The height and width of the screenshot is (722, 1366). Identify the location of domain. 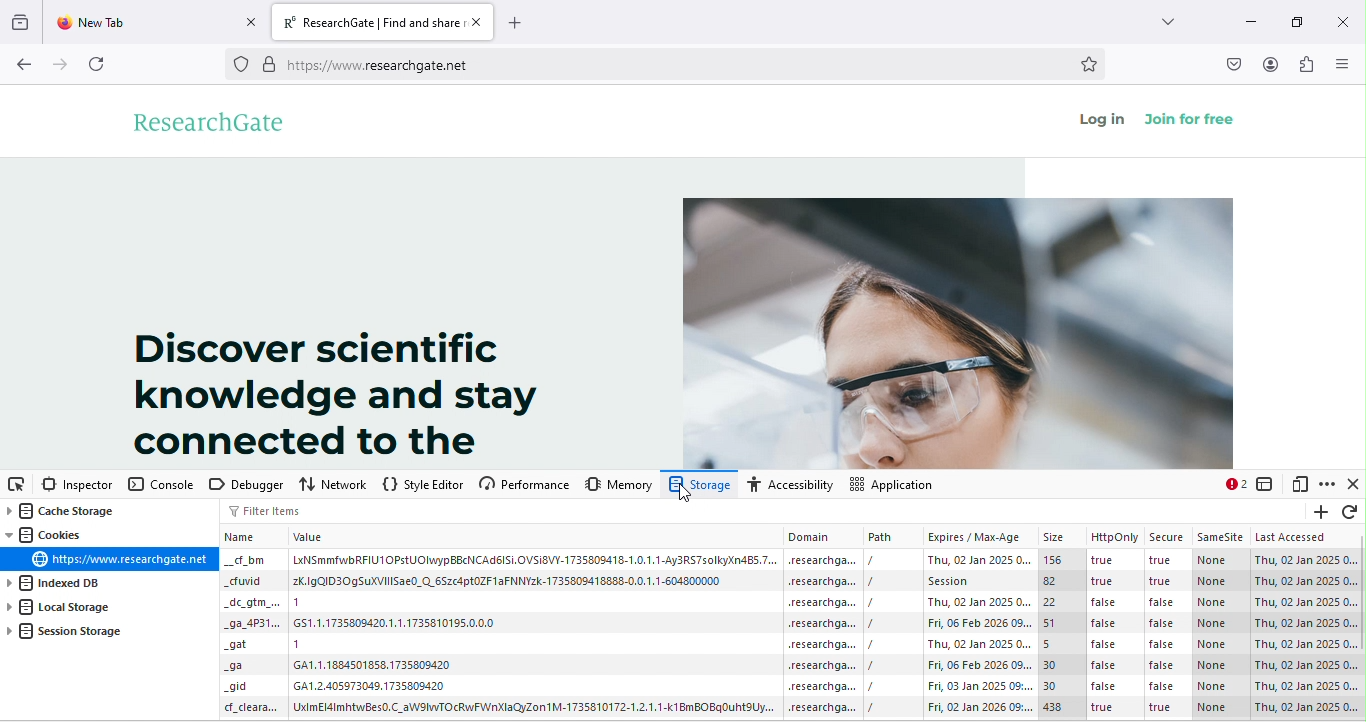
(822, 583).